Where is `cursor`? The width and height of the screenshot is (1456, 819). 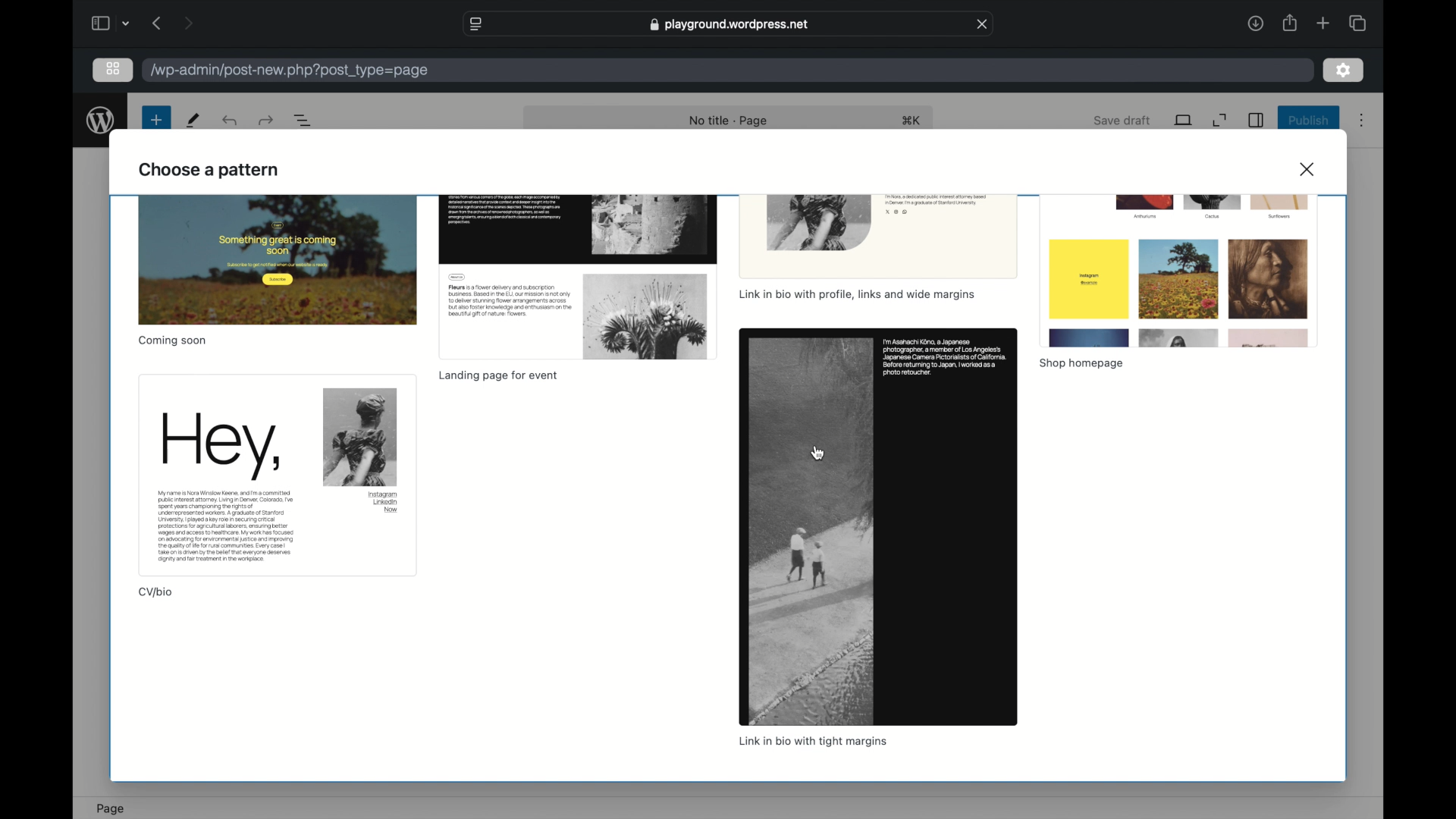 cursor is located at coordinates (818, 453).